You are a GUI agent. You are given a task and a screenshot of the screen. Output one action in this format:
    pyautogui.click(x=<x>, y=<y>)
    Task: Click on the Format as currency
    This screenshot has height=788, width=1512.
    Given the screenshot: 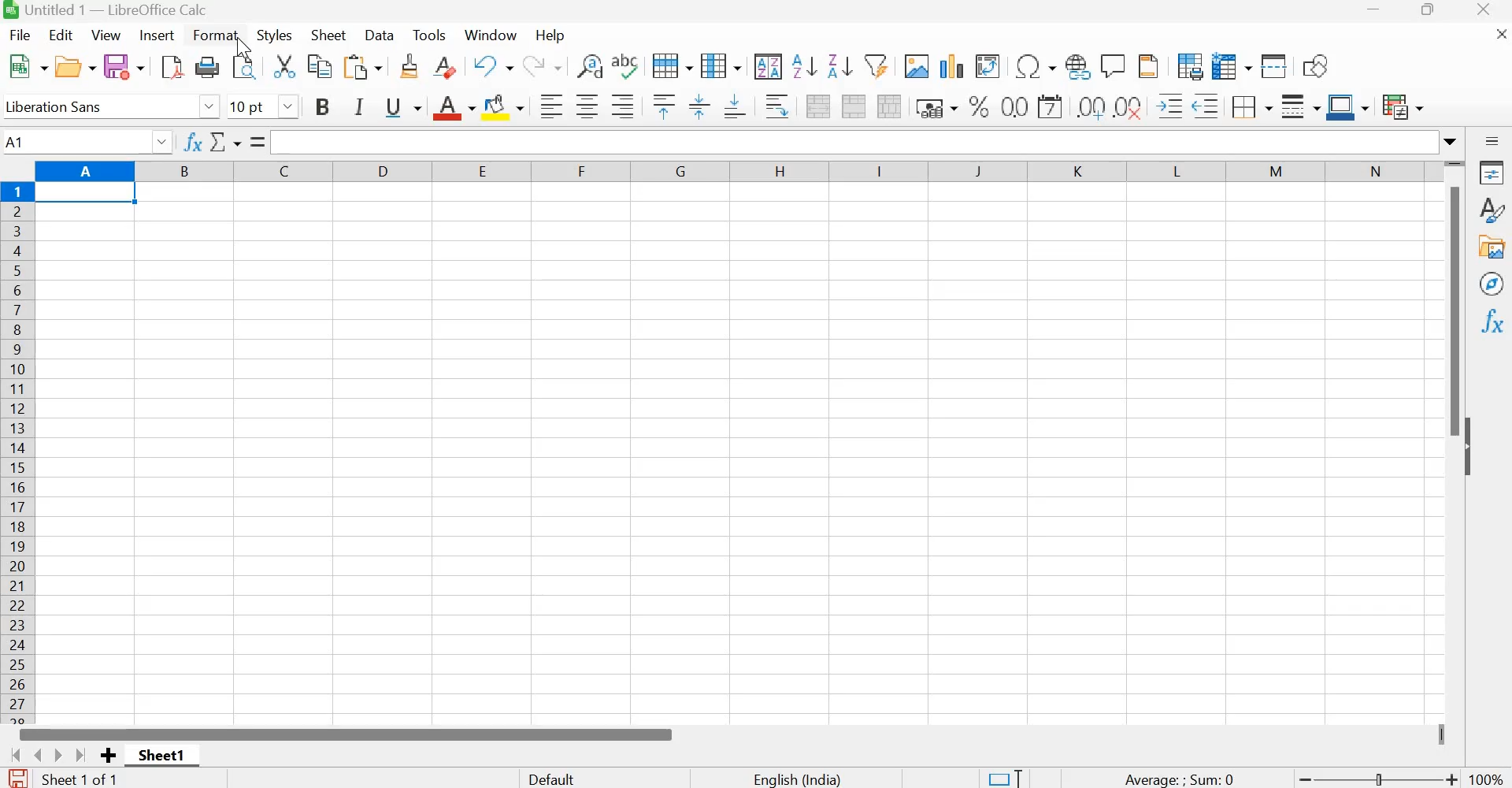 What is the action you would take?
    pyautogui.click(x=934, y=106)
    